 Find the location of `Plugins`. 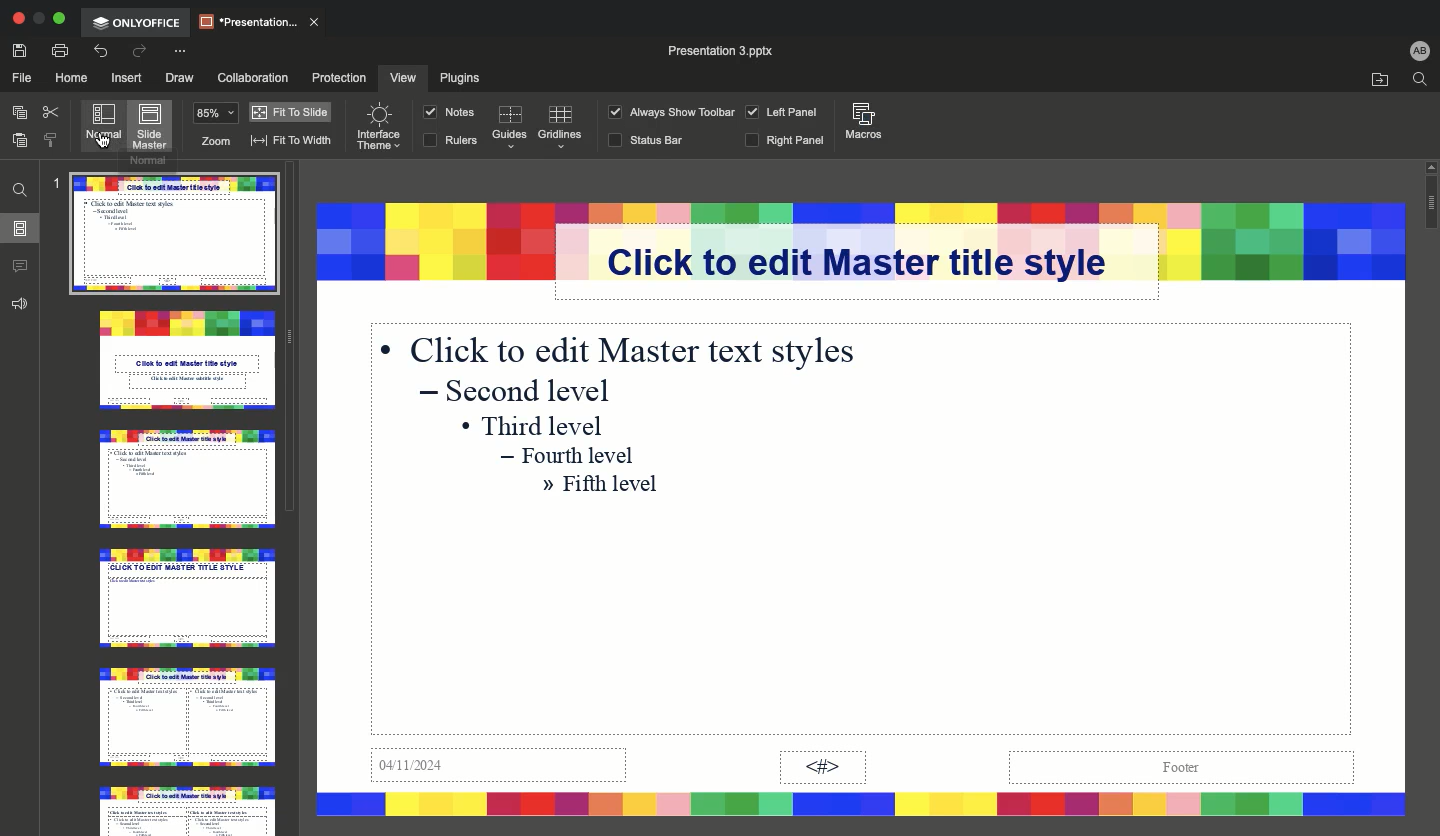

Plugins is located at coordinates (467, 78).